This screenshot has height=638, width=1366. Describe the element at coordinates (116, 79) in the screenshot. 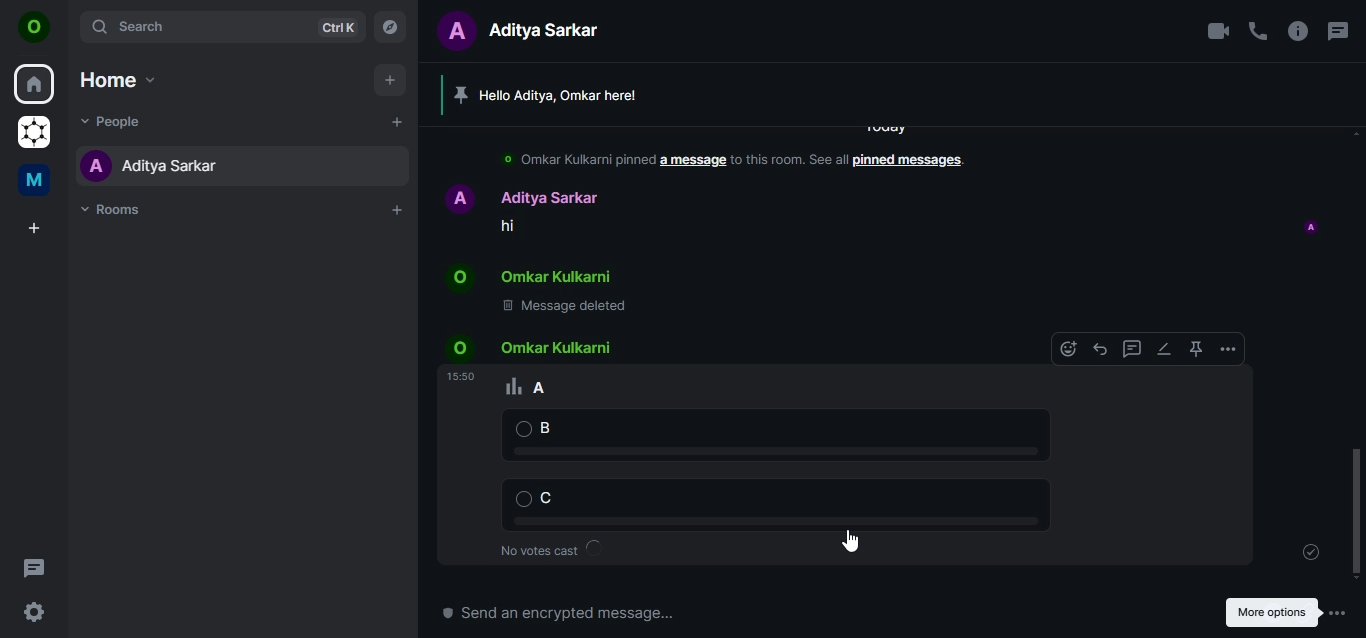

I see `home` at that location.